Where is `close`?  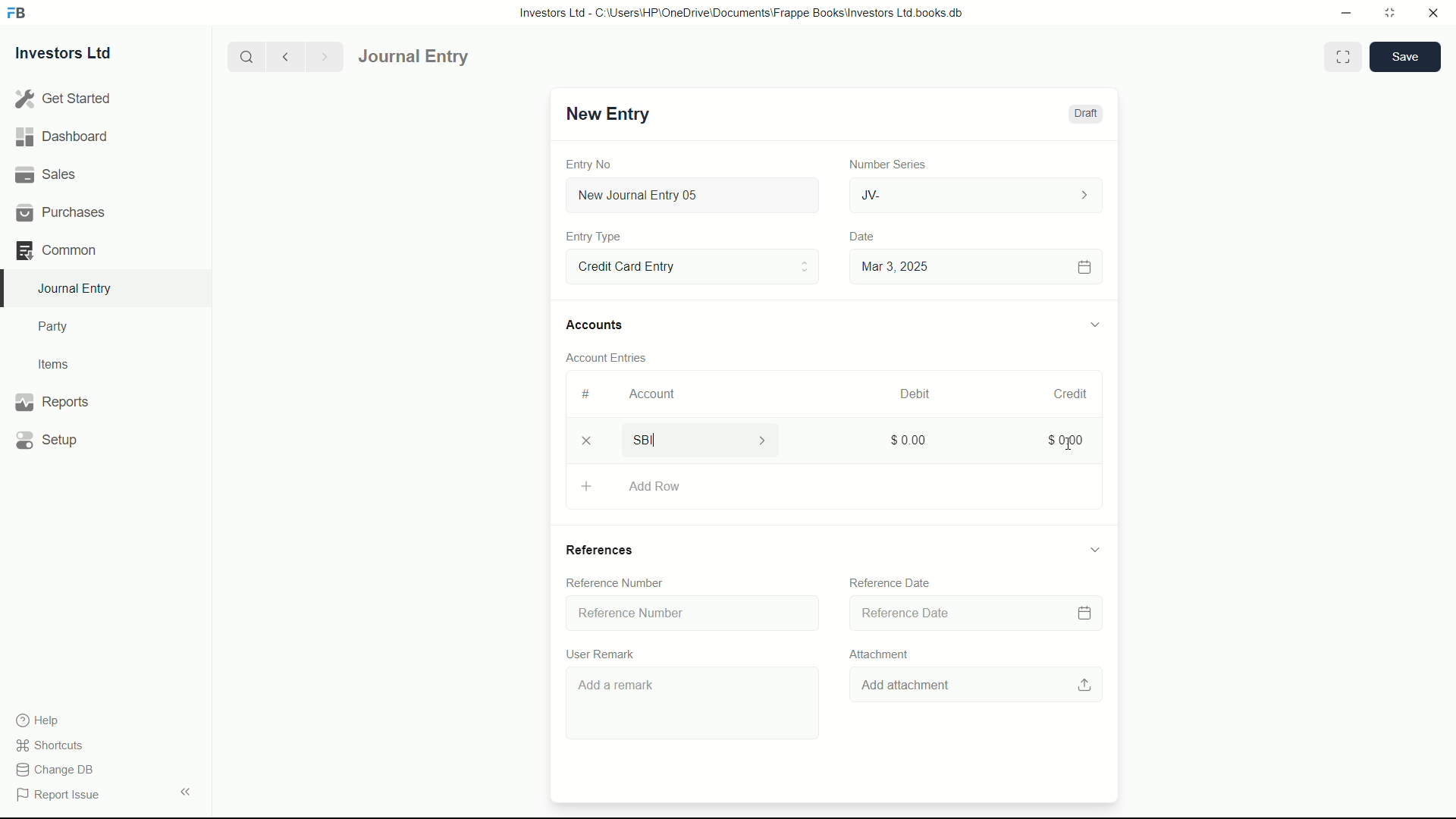 close is located at coordinates (1434, 14).